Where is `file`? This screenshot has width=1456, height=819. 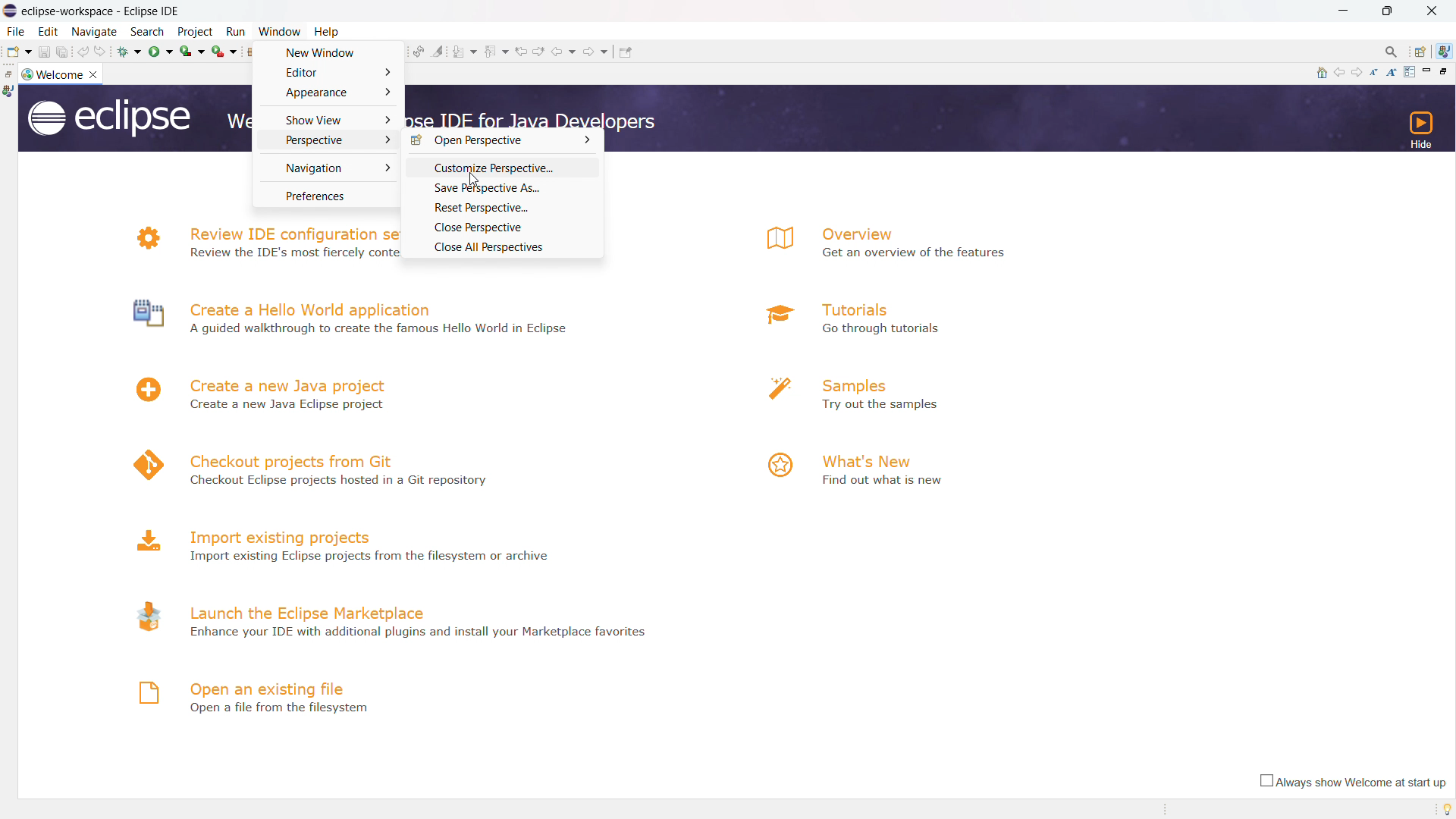
file is located at coordinates (16, 31).